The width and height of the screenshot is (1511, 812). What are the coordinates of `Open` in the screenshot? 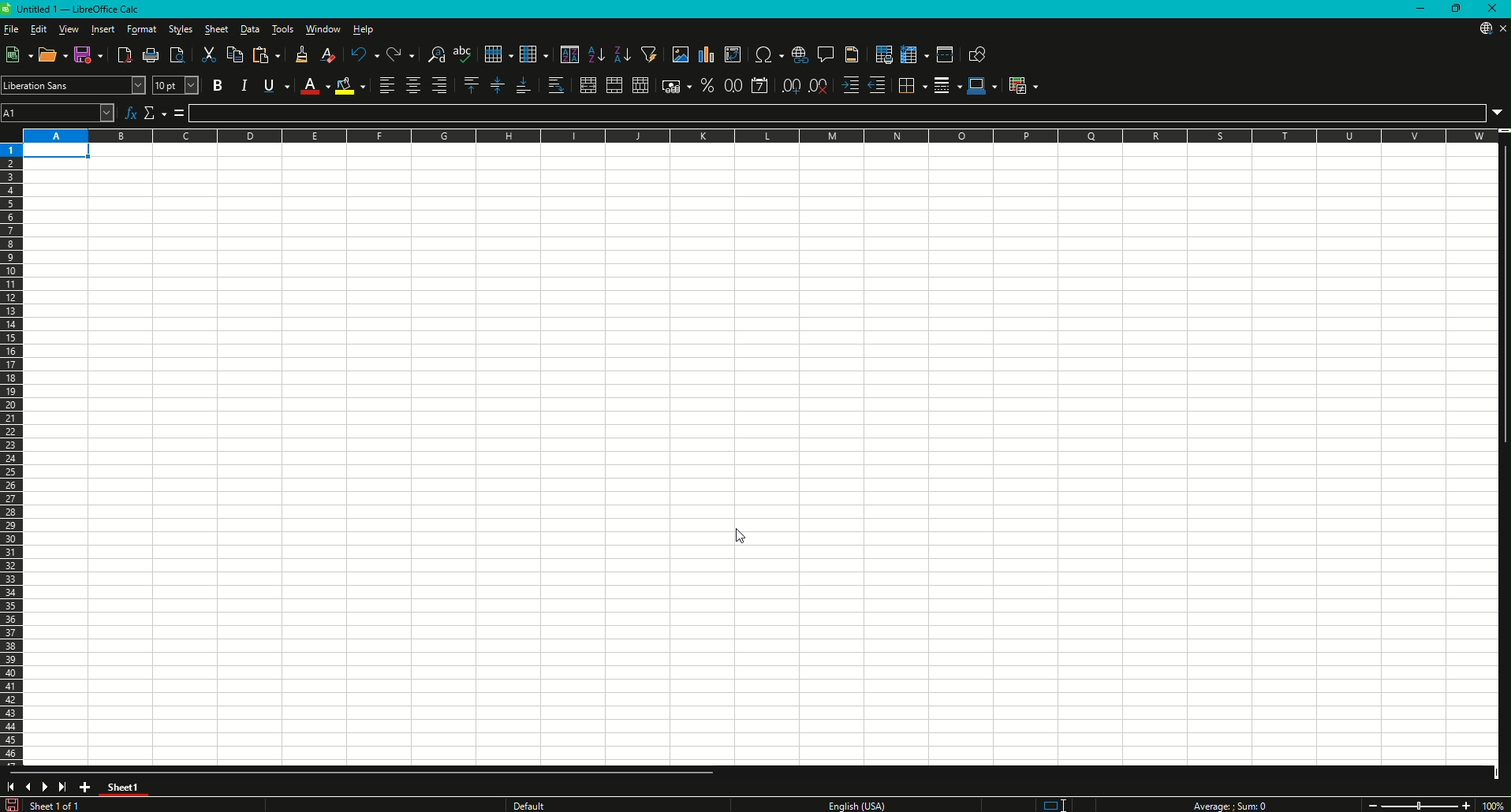 It's located at (53, 54).